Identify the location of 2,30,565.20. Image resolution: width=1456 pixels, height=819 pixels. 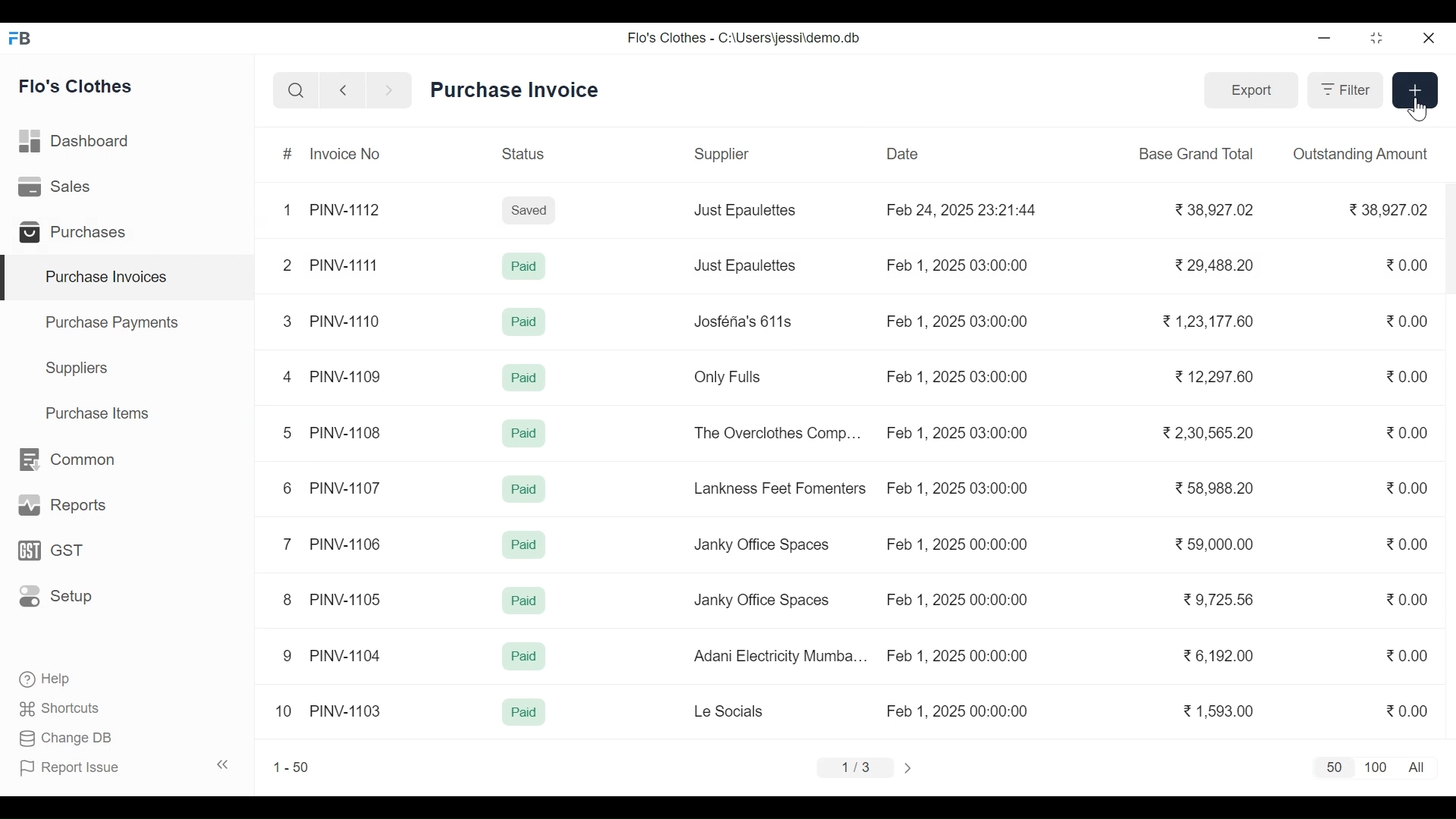
(1207, 434).